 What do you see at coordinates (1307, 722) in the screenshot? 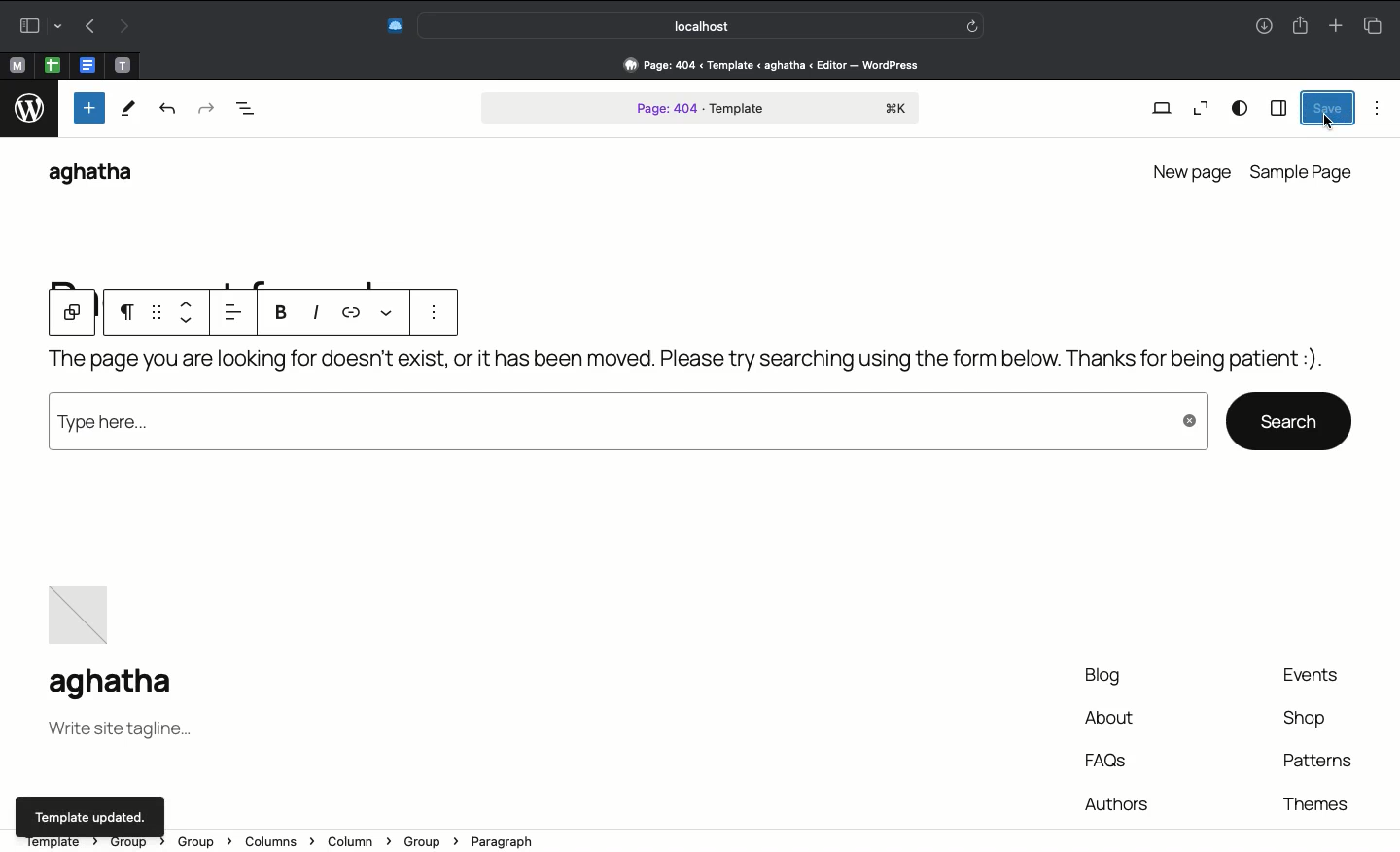
I see `Shop` at bounding box center [1307, 722].